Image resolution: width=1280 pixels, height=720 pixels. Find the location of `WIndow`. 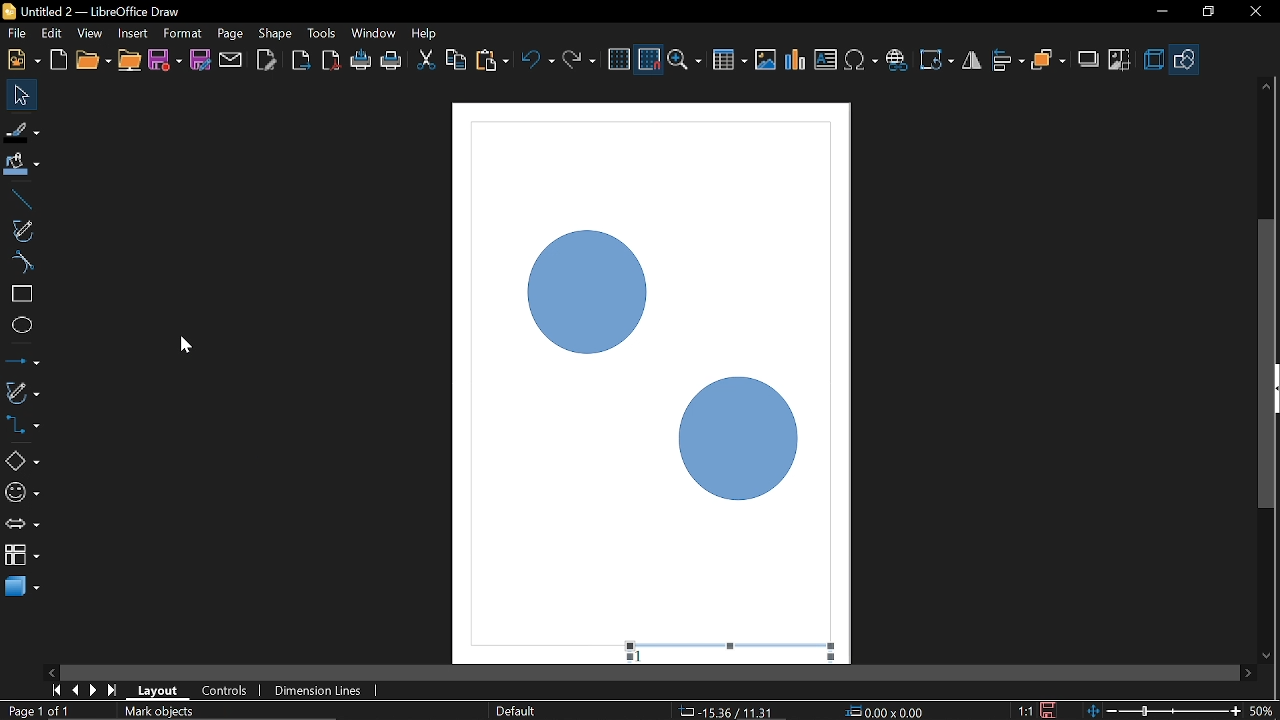

WIndow is located at coordinates (374, 33).